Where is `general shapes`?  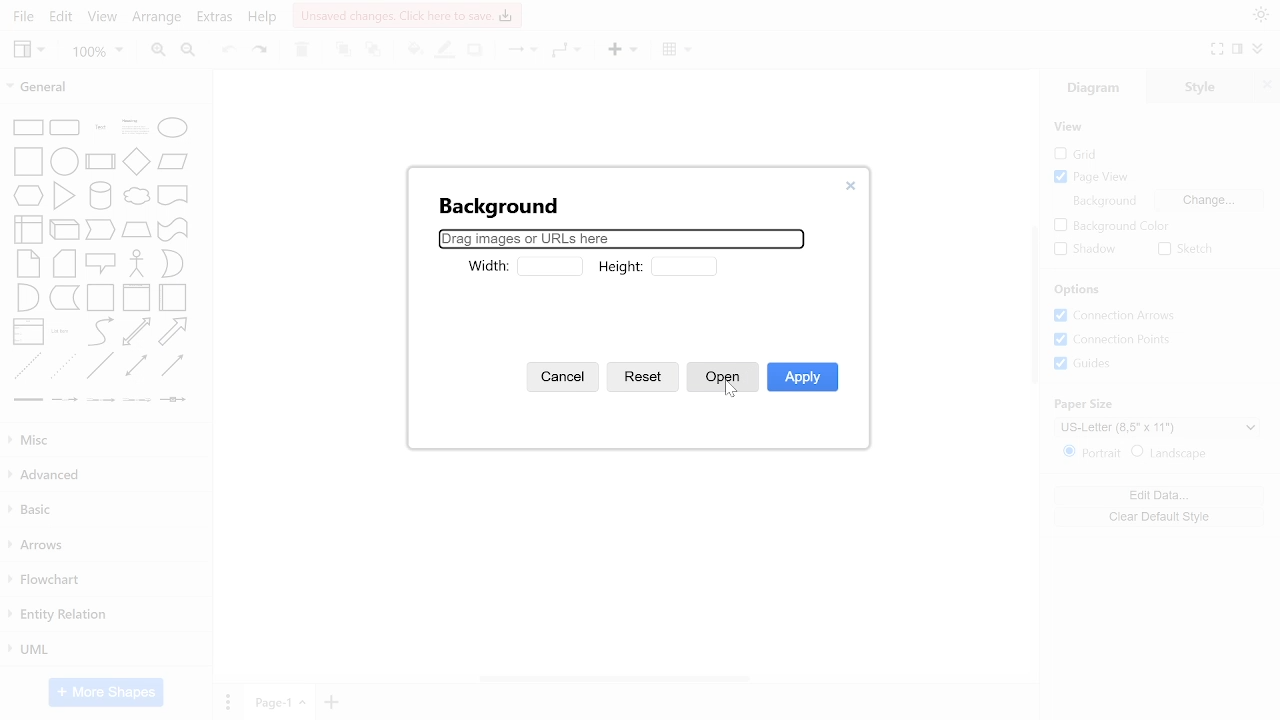 general shapes is located at coordinates (101, 296).